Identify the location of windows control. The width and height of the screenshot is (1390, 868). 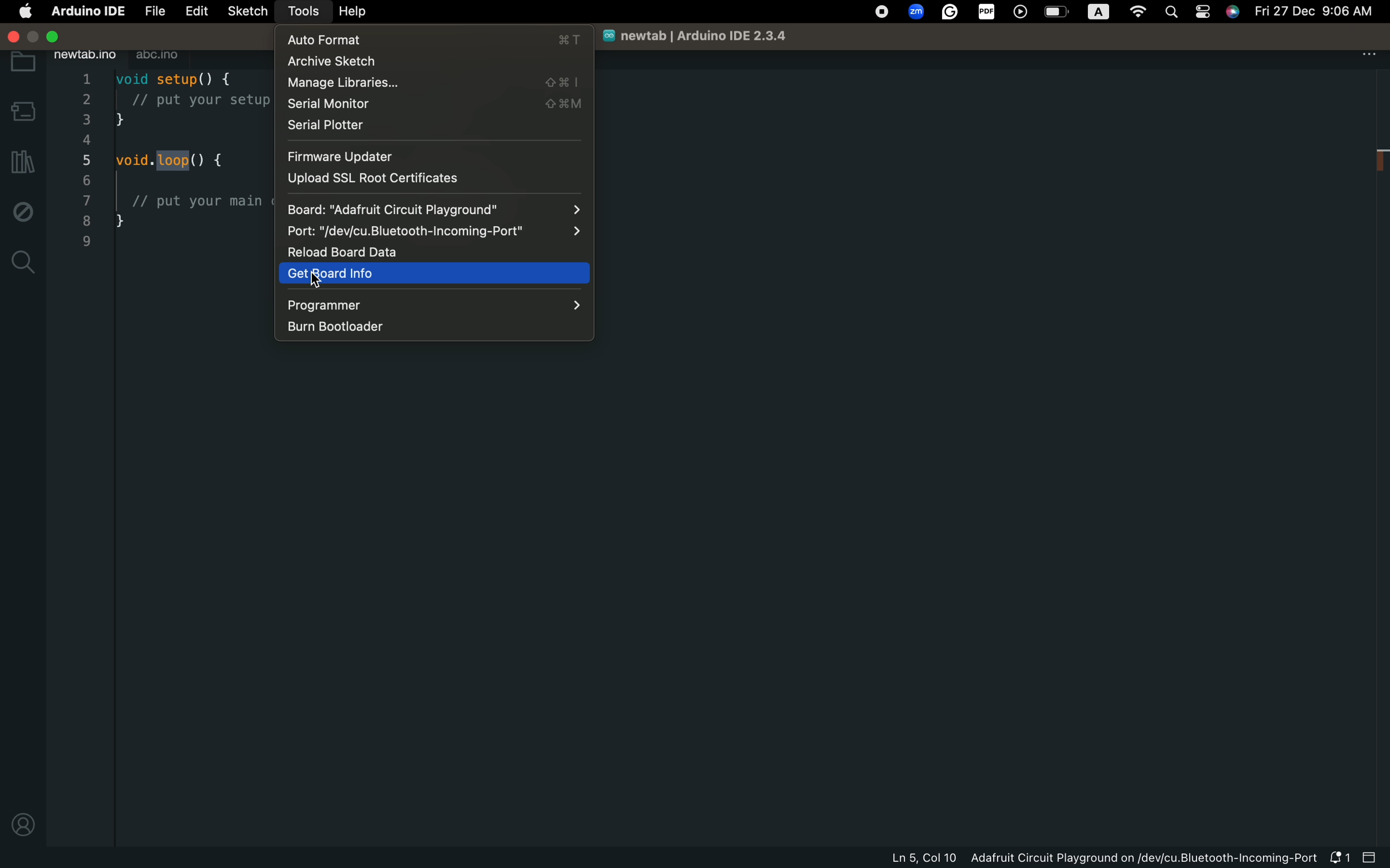
(10, 34).